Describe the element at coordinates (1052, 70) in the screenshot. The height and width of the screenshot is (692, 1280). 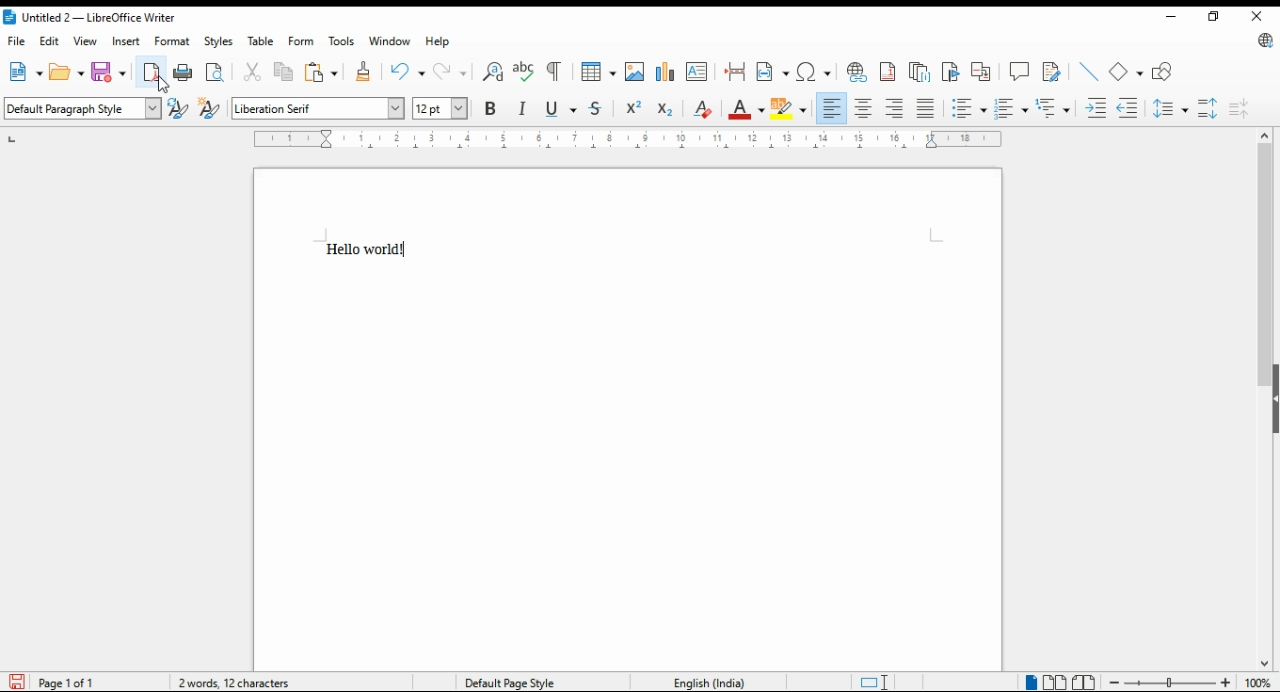
I see `show track changes functions` at that location.